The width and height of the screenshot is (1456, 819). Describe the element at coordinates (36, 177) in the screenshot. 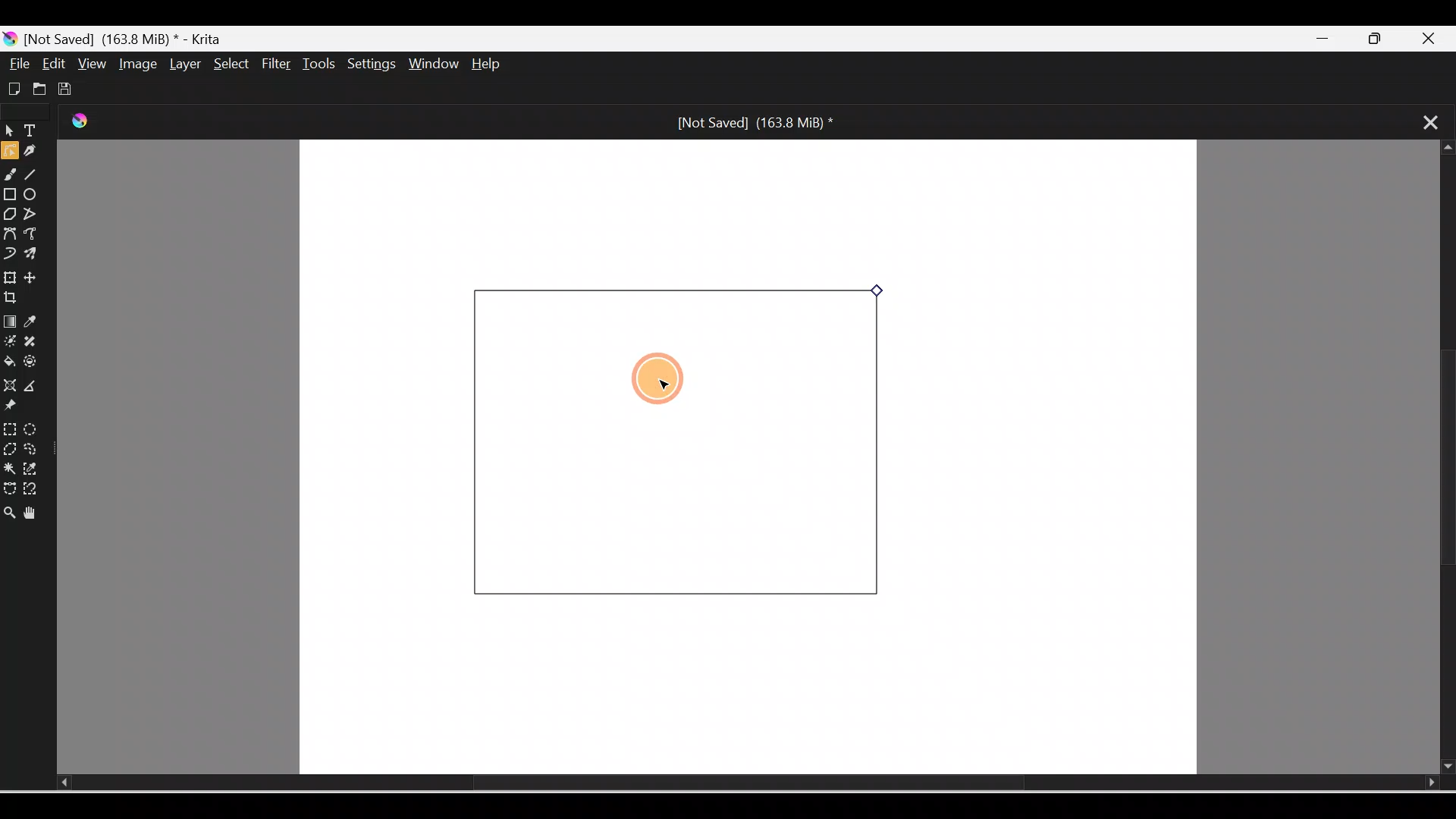

I see `Line` at that location.